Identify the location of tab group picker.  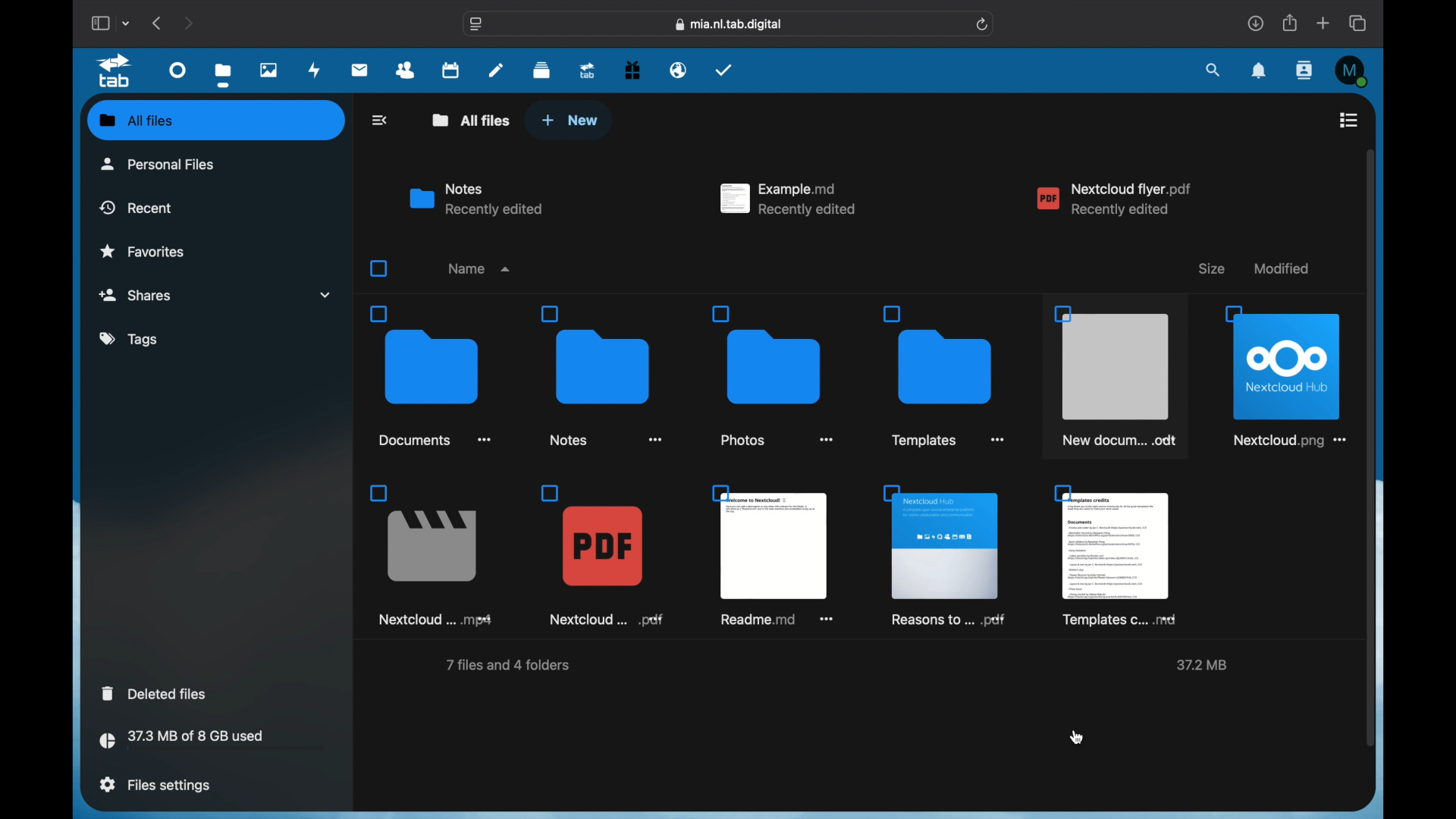
(127, 23).